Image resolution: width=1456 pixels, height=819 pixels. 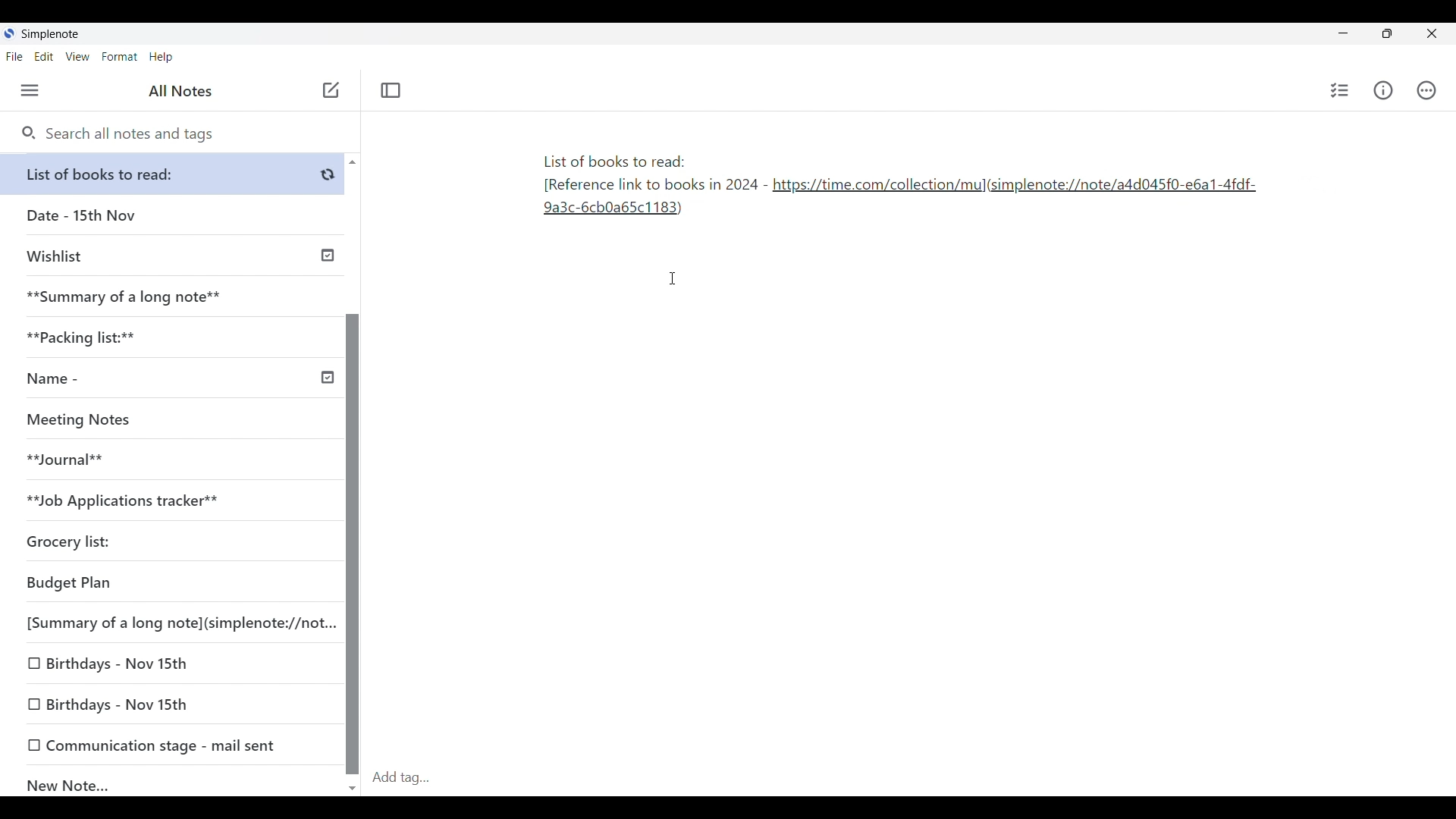 I want to click on **Journal**, so click(x=168, y=460).